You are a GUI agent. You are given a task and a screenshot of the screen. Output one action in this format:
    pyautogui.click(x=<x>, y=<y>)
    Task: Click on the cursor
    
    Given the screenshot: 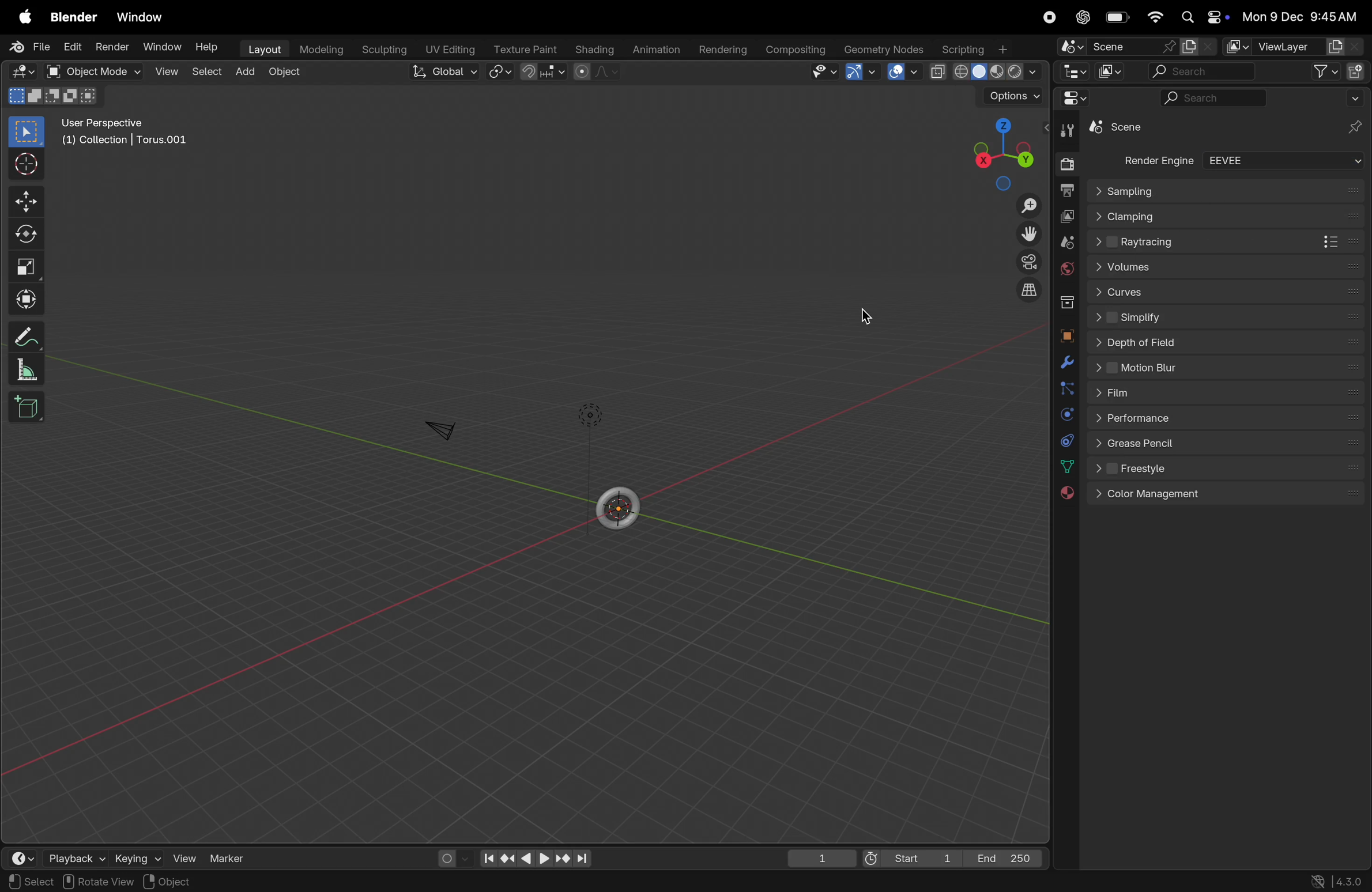 What is the action you would take?
    pyautogui.click(x=869, y=312)
    